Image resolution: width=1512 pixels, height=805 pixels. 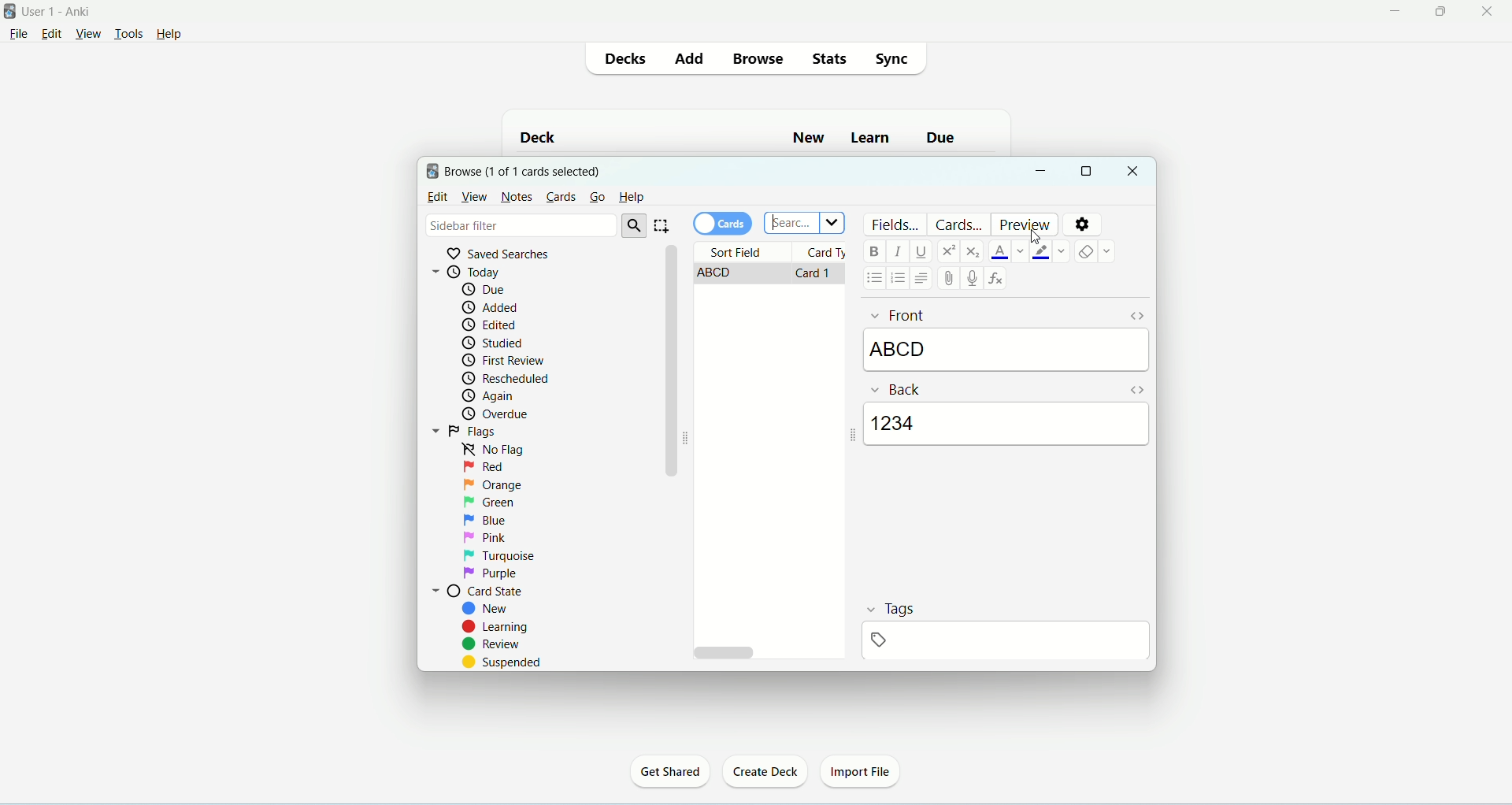 I want to click on ABCD, so click(x=742, y=274).